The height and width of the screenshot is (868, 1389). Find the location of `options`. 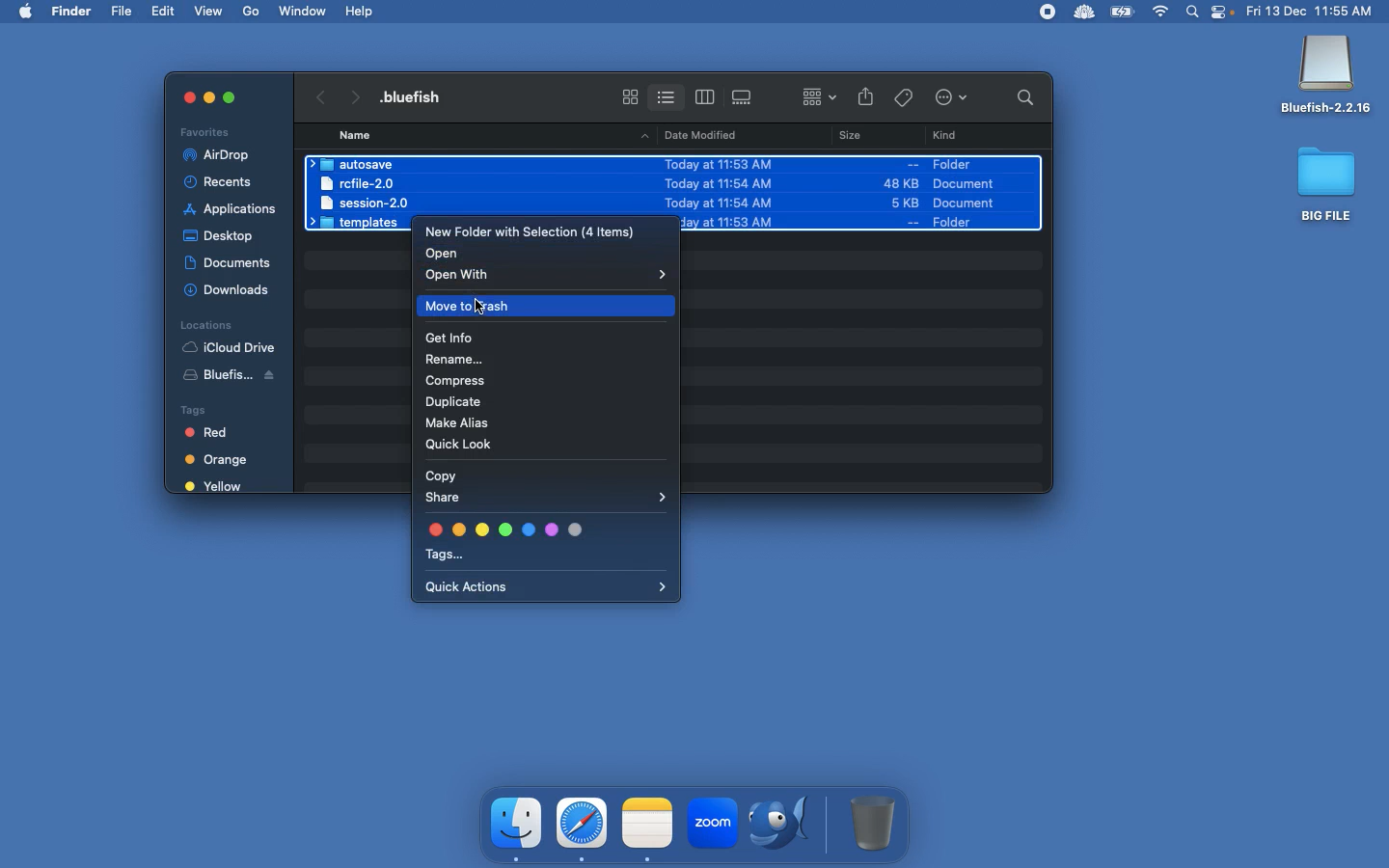

options is located at coordinates (955, 98).